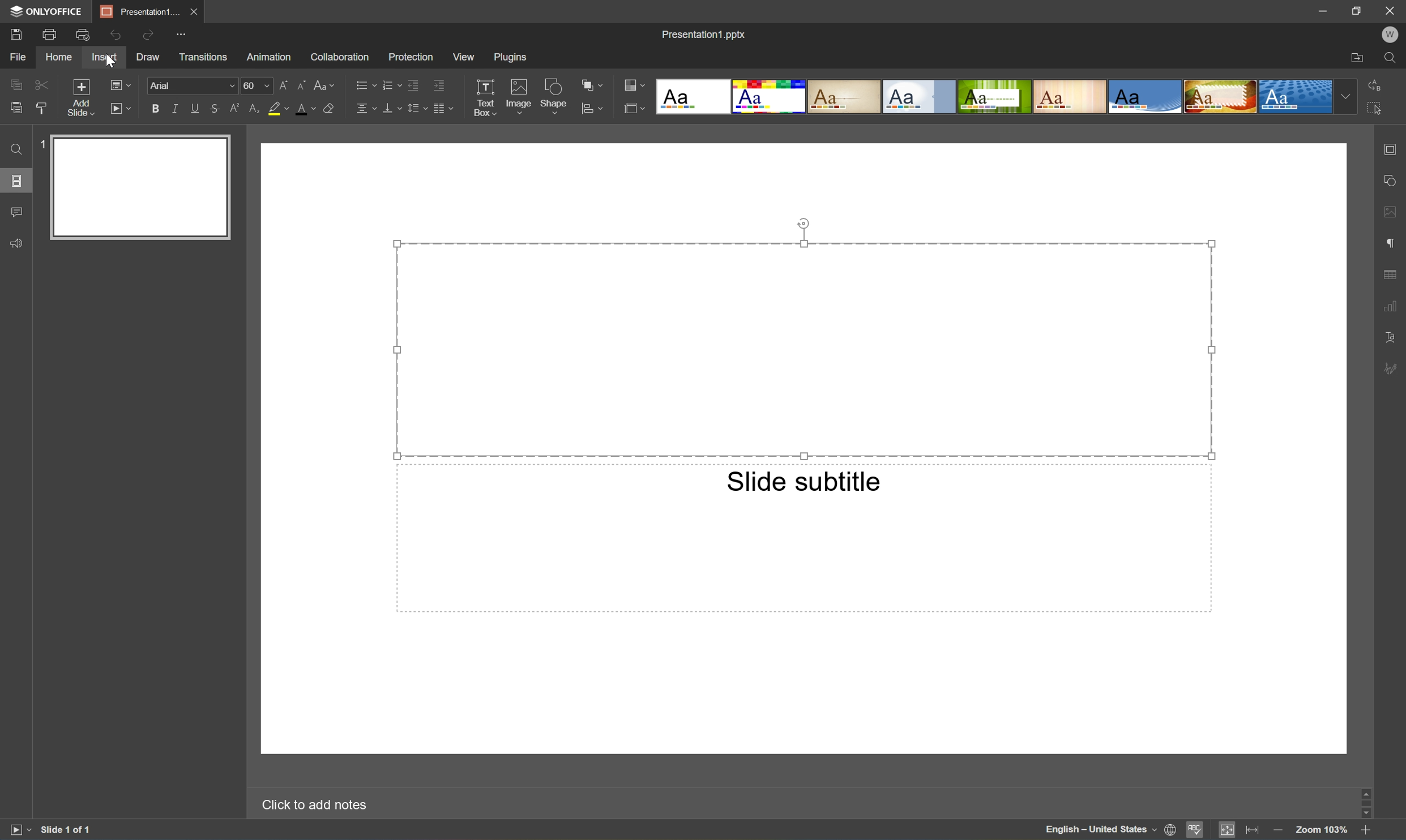 This screenshot has height=840, width=1406. Describe the element at coordinates (412, 87) in the screenshot. I see `Decrease indent` at that location.